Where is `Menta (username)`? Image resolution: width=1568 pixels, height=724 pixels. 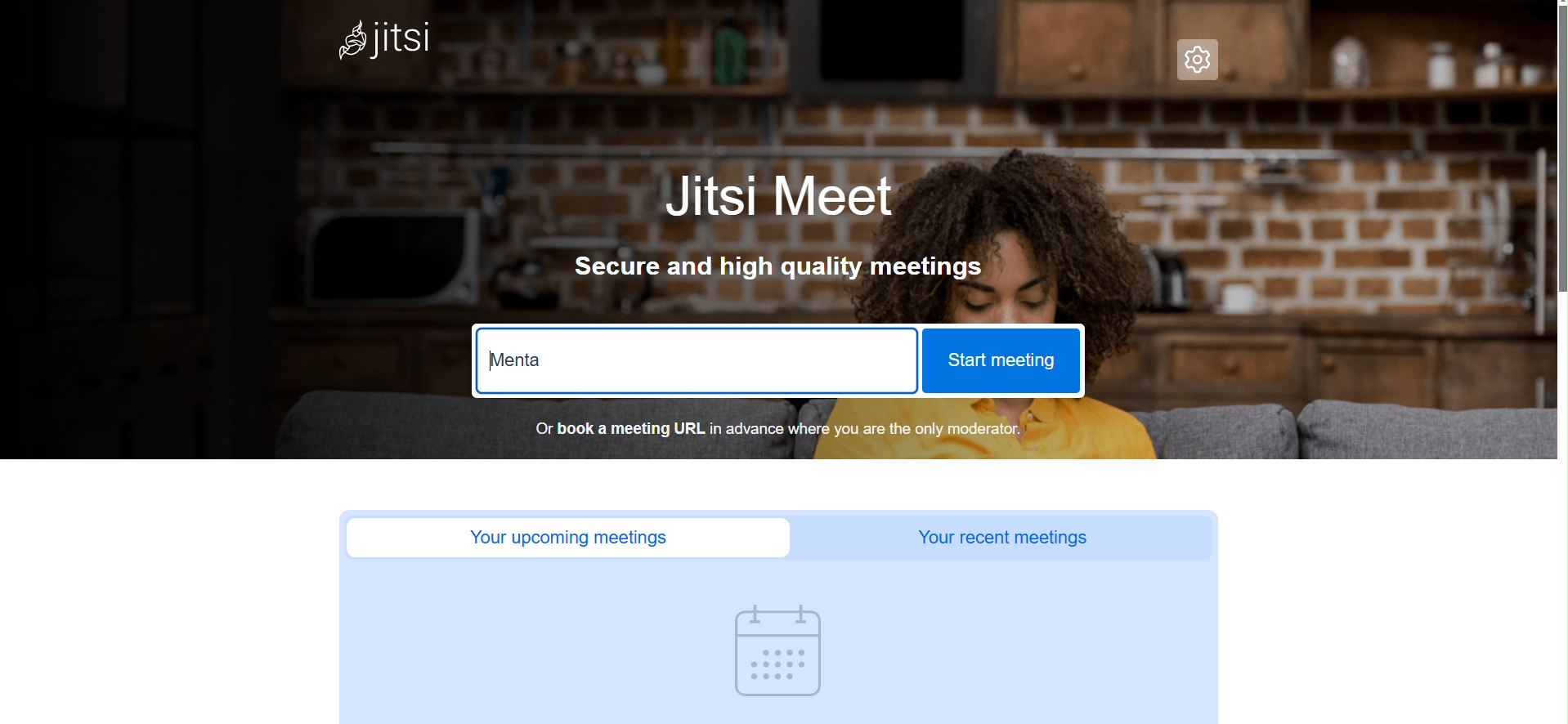 Menta (username) is located at coordinates (519, 359).